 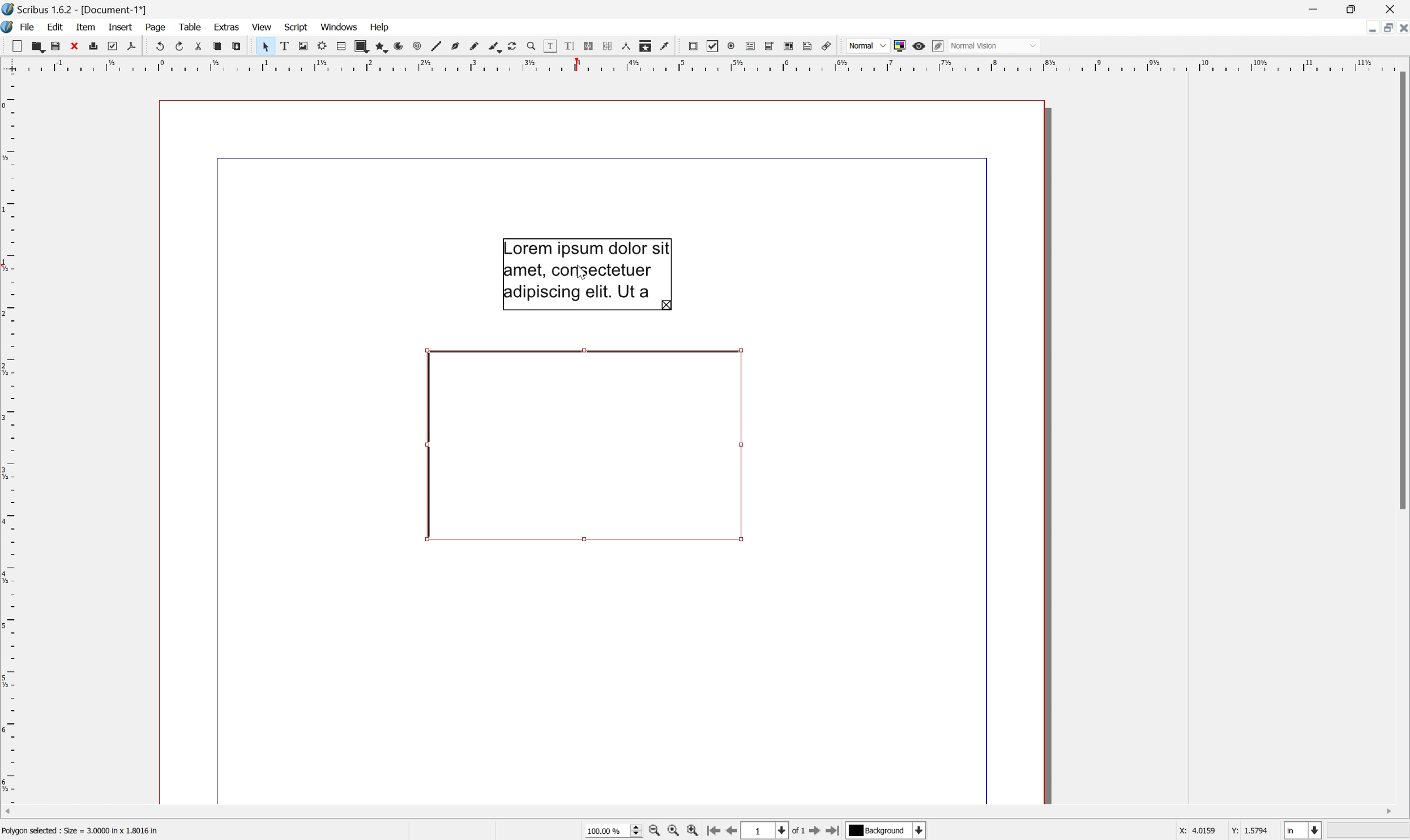 What do you see at coordinates (1351, 7) in the screenshot?
I see `Restore Down` at bounding box center [1351, 7].